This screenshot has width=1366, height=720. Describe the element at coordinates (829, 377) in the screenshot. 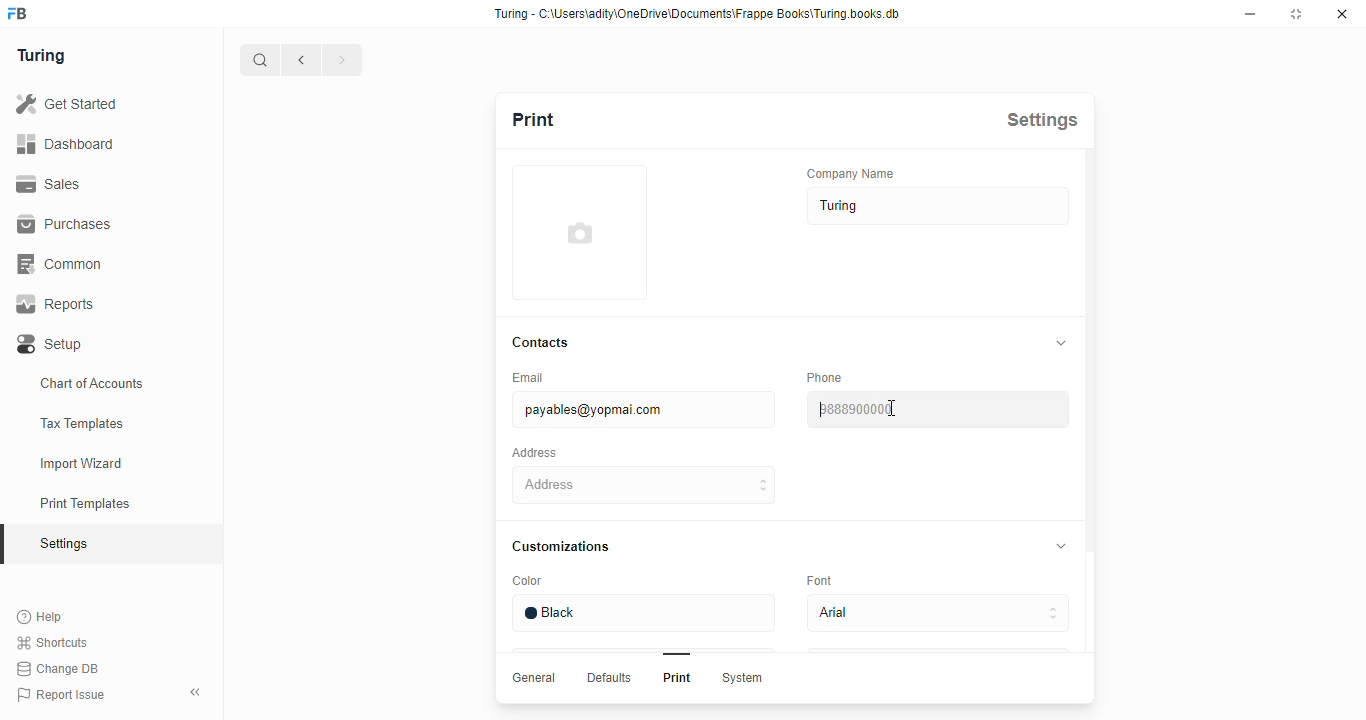

I see `Phone` at that location.